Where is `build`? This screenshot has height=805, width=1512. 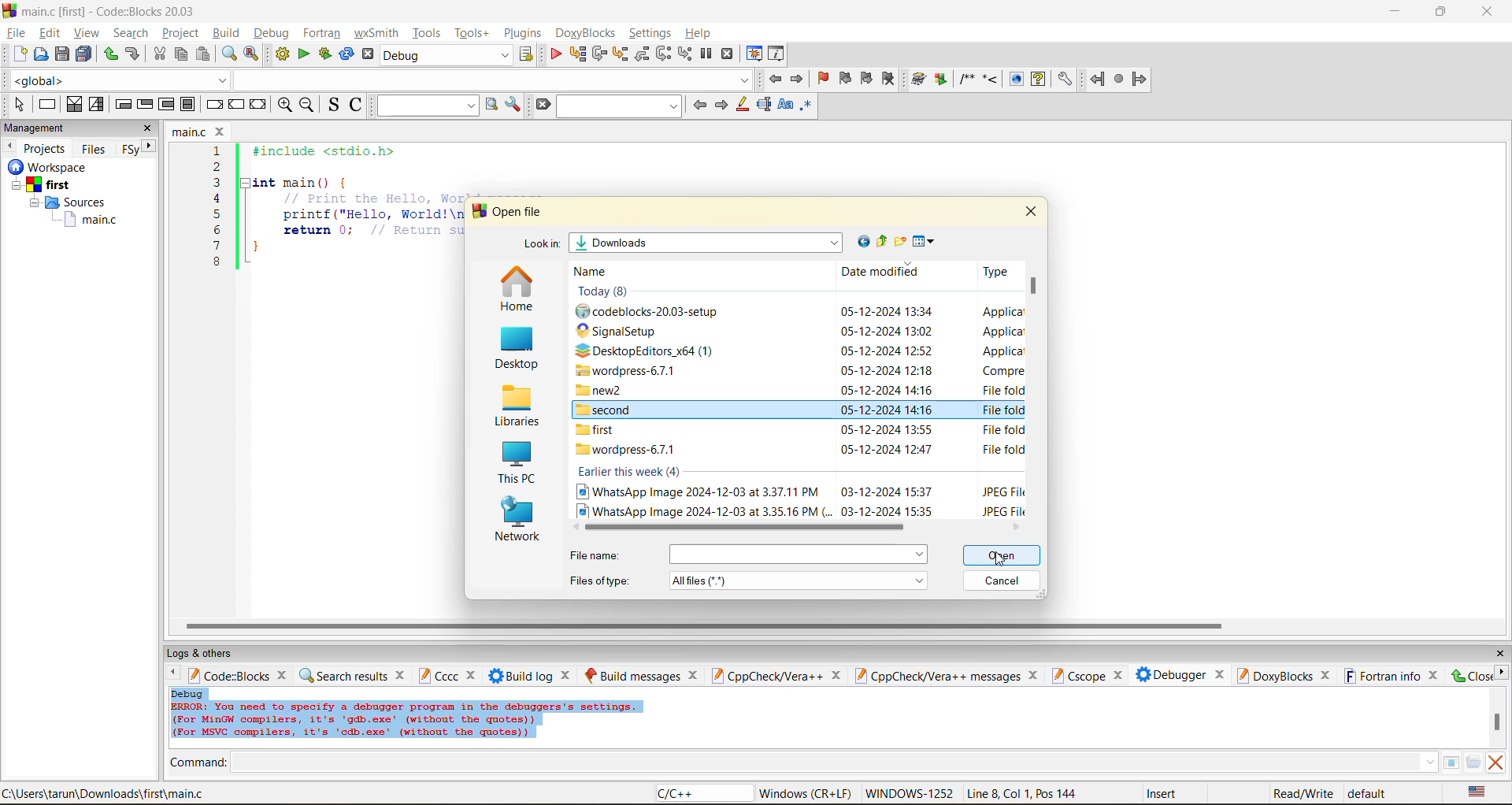 build is located at coordinates (282, 54).